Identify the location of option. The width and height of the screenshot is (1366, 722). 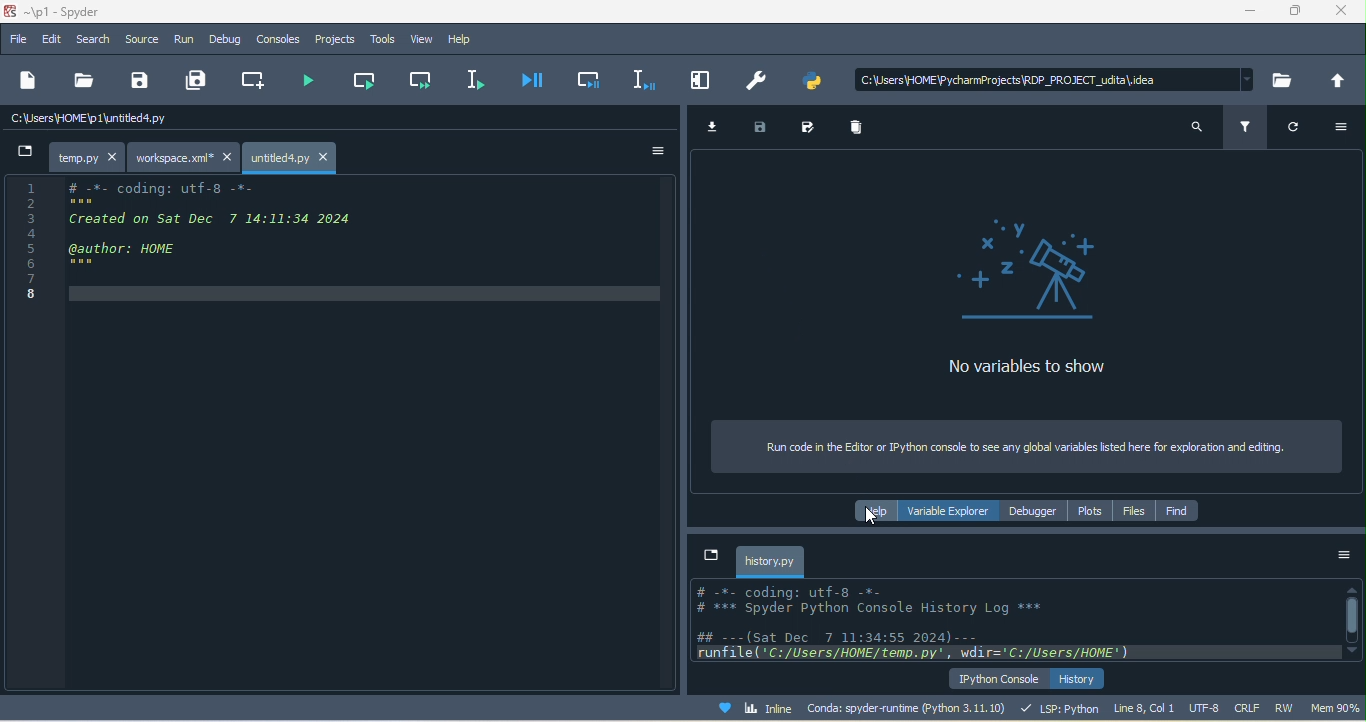
(660, 152).